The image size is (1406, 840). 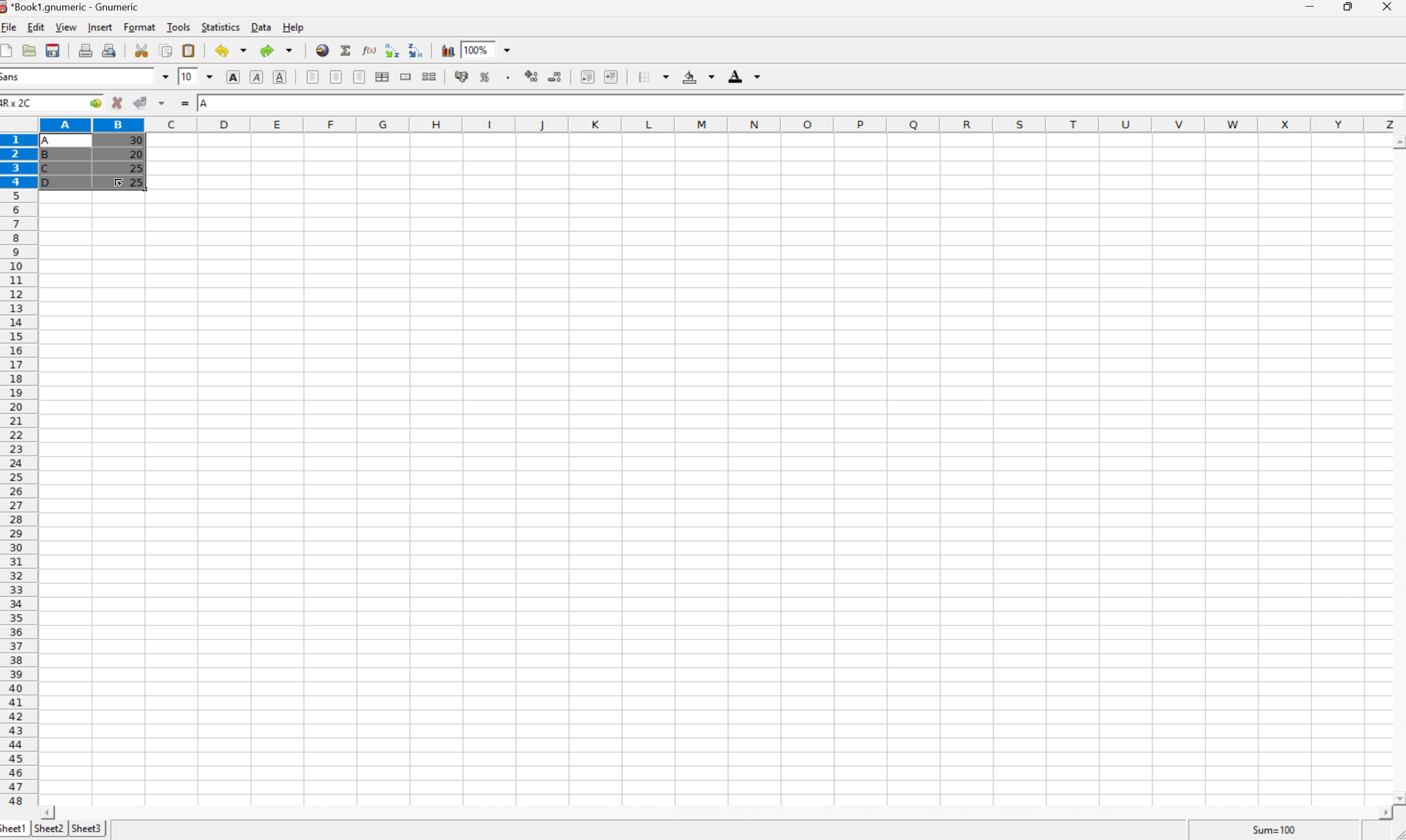 I want to click on Bold, so click(x=233, y=77).